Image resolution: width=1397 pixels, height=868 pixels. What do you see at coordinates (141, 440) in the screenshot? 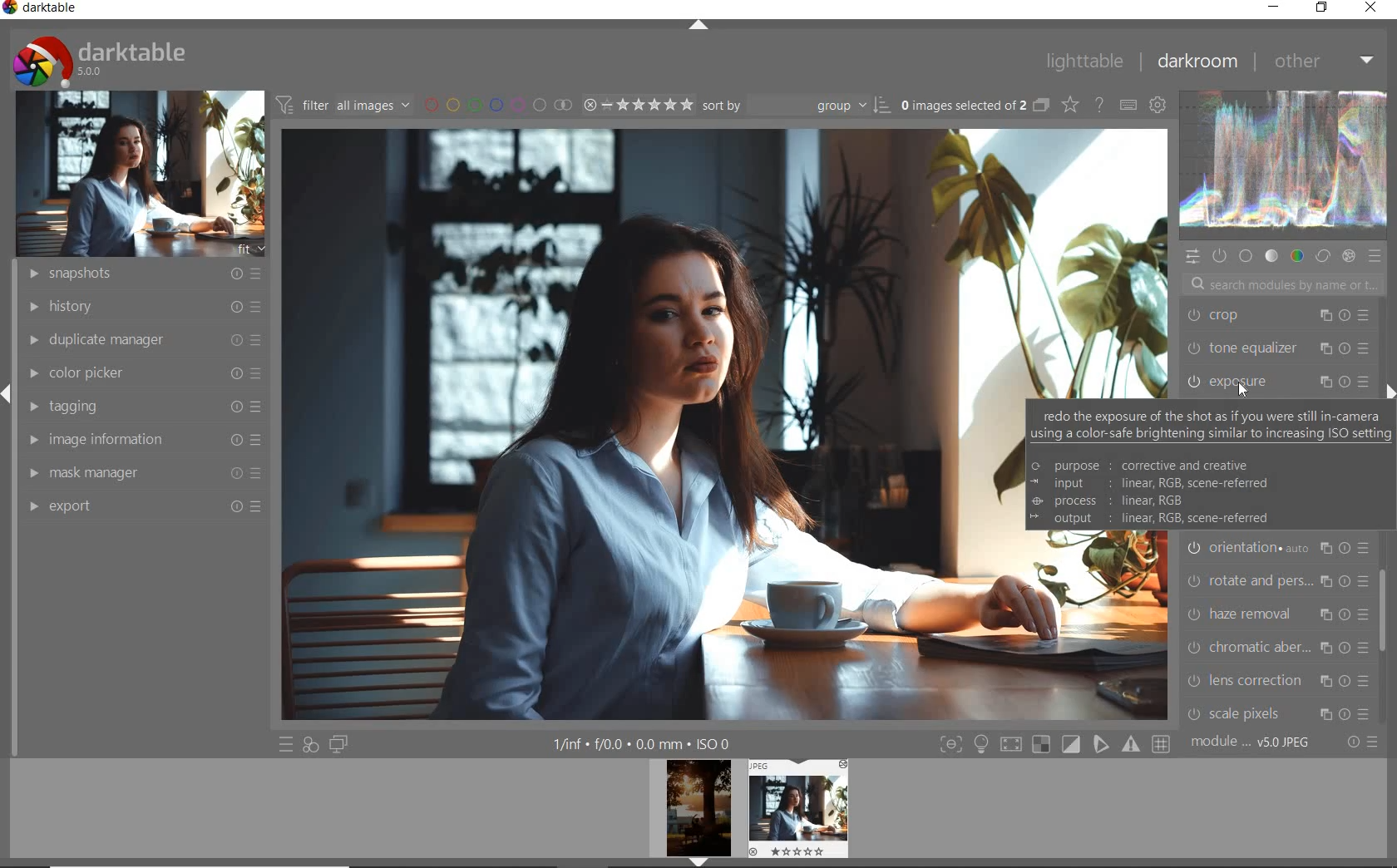
I see `IMAGE INFORMATION` at bounding box center [141, 440].